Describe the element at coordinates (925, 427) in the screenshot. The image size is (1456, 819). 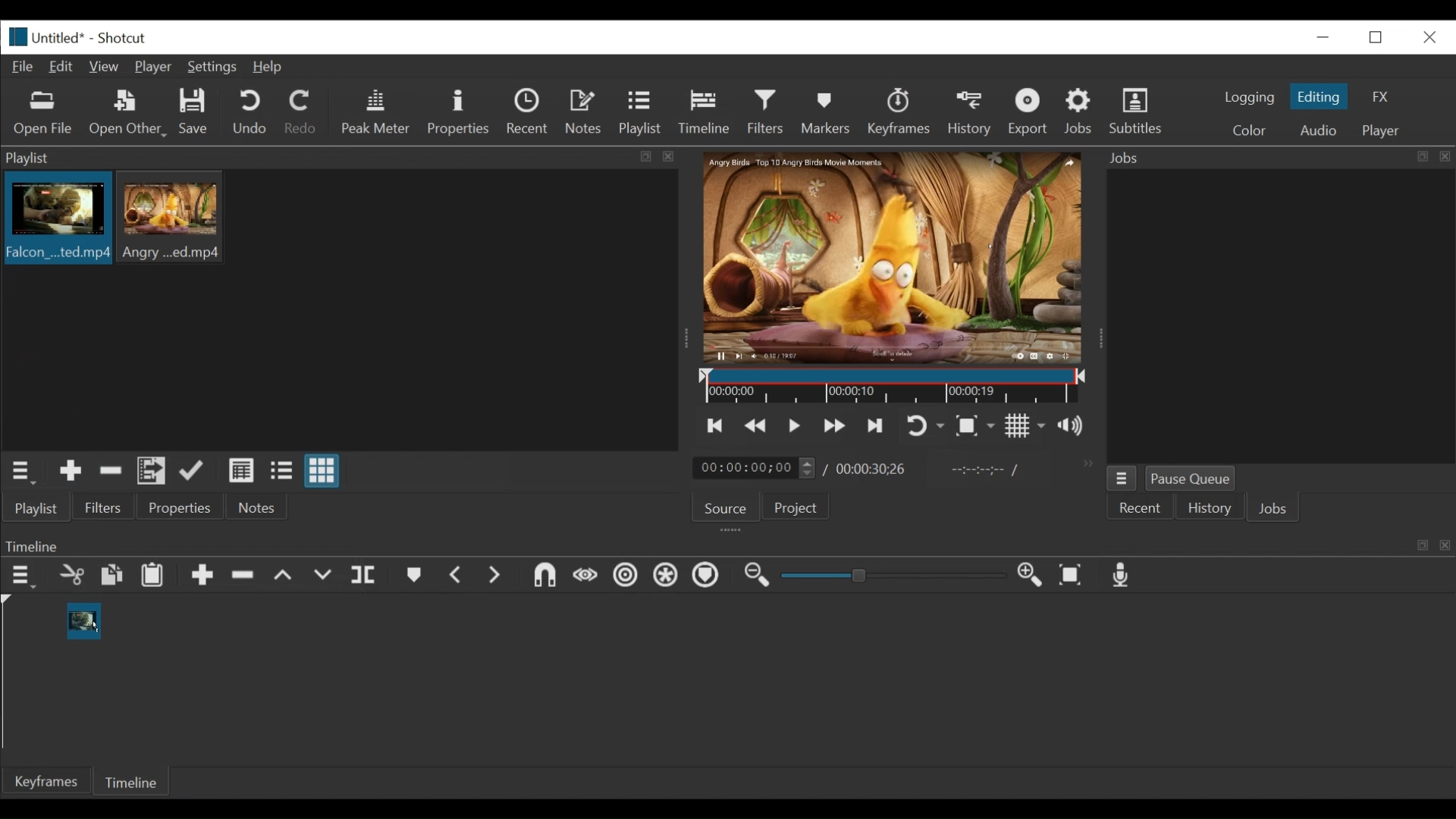
I see `toggle player looping` at that location.